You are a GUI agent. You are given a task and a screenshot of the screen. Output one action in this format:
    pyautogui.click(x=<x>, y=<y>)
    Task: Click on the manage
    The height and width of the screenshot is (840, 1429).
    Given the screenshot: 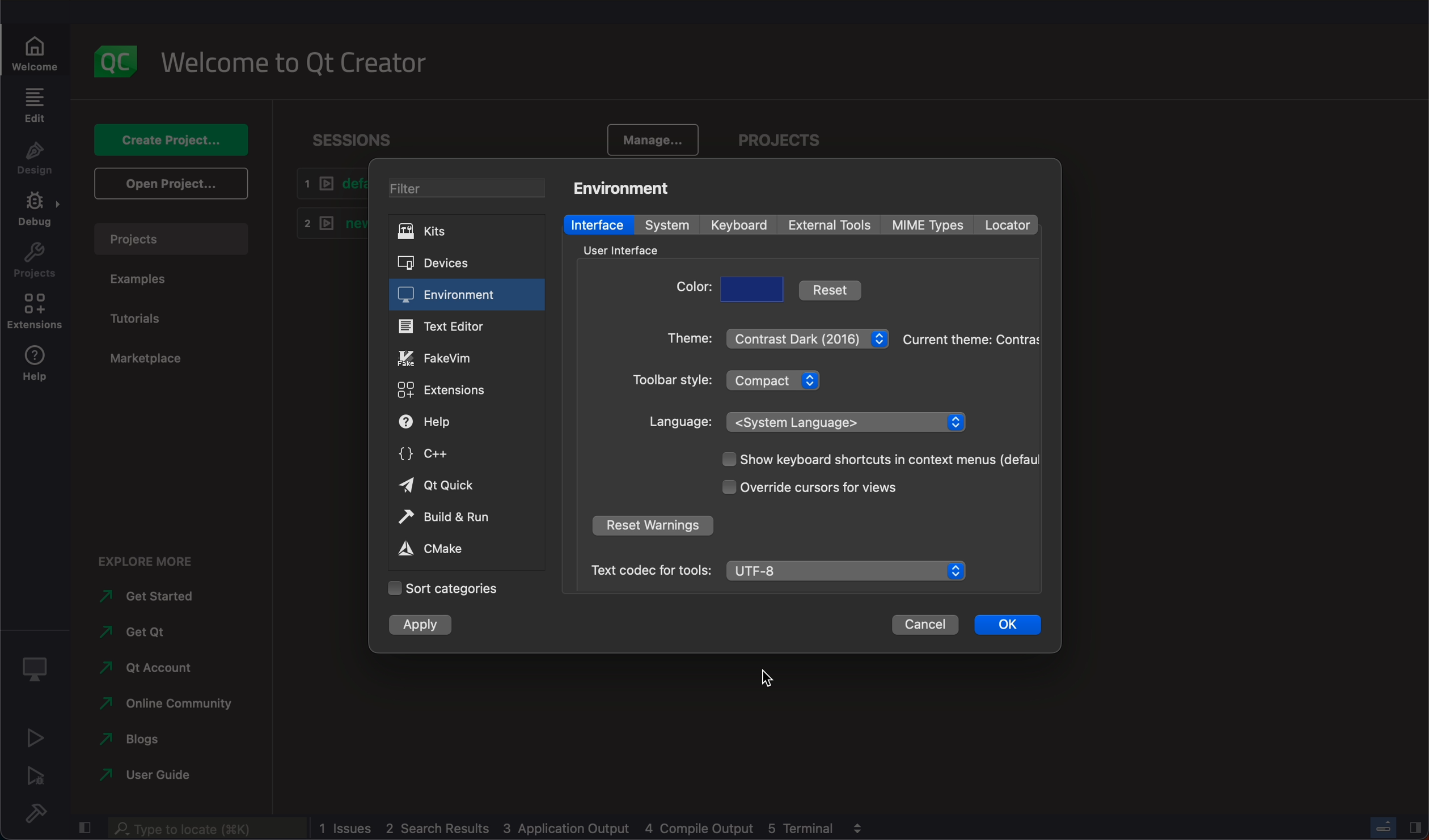 What is the action you would take?
    pyautogui.click(x=655, y=137)
    